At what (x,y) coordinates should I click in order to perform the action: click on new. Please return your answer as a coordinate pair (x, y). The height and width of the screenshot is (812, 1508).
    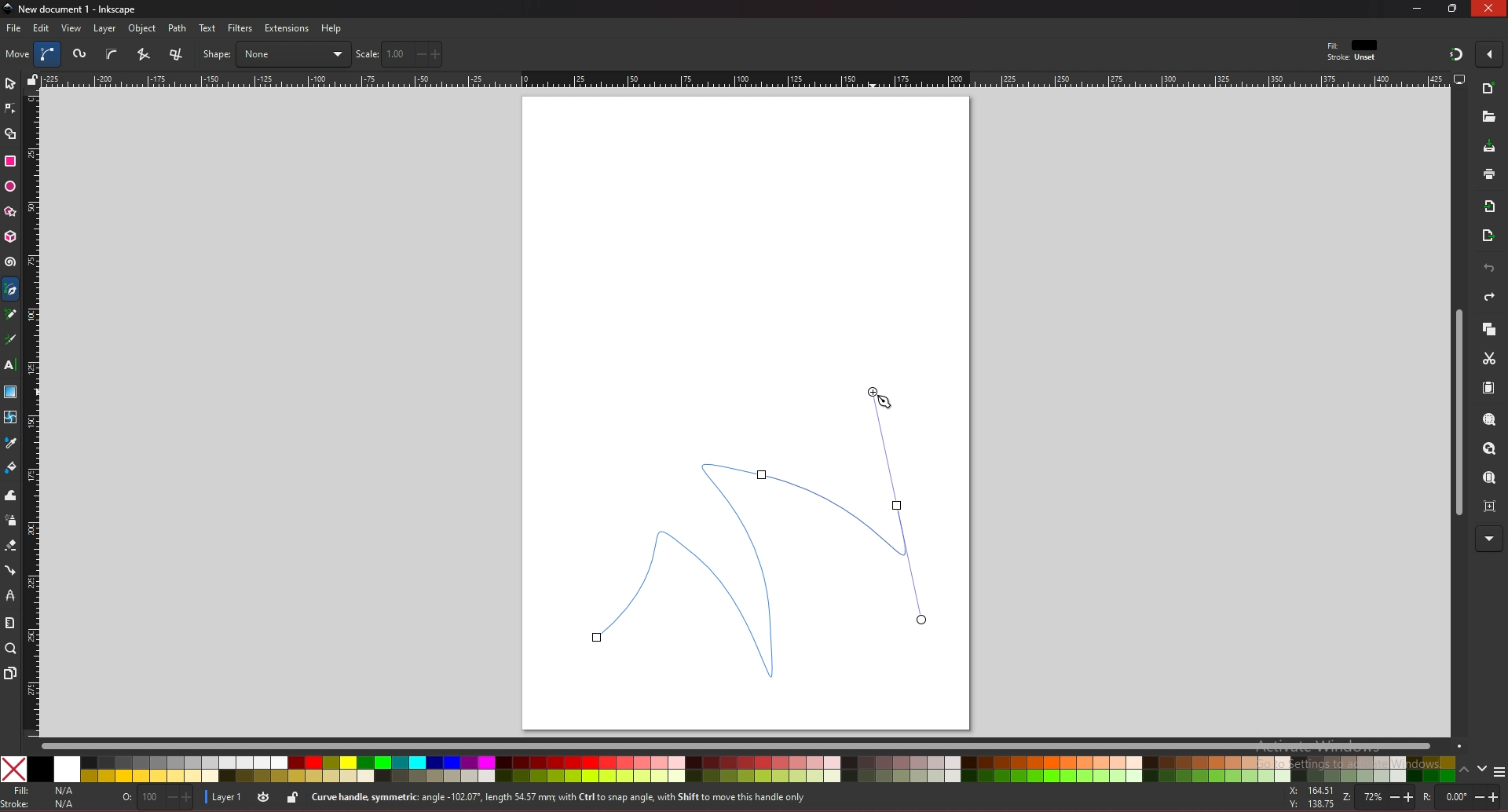
    Looking at the image, I should click on (1489, 90).